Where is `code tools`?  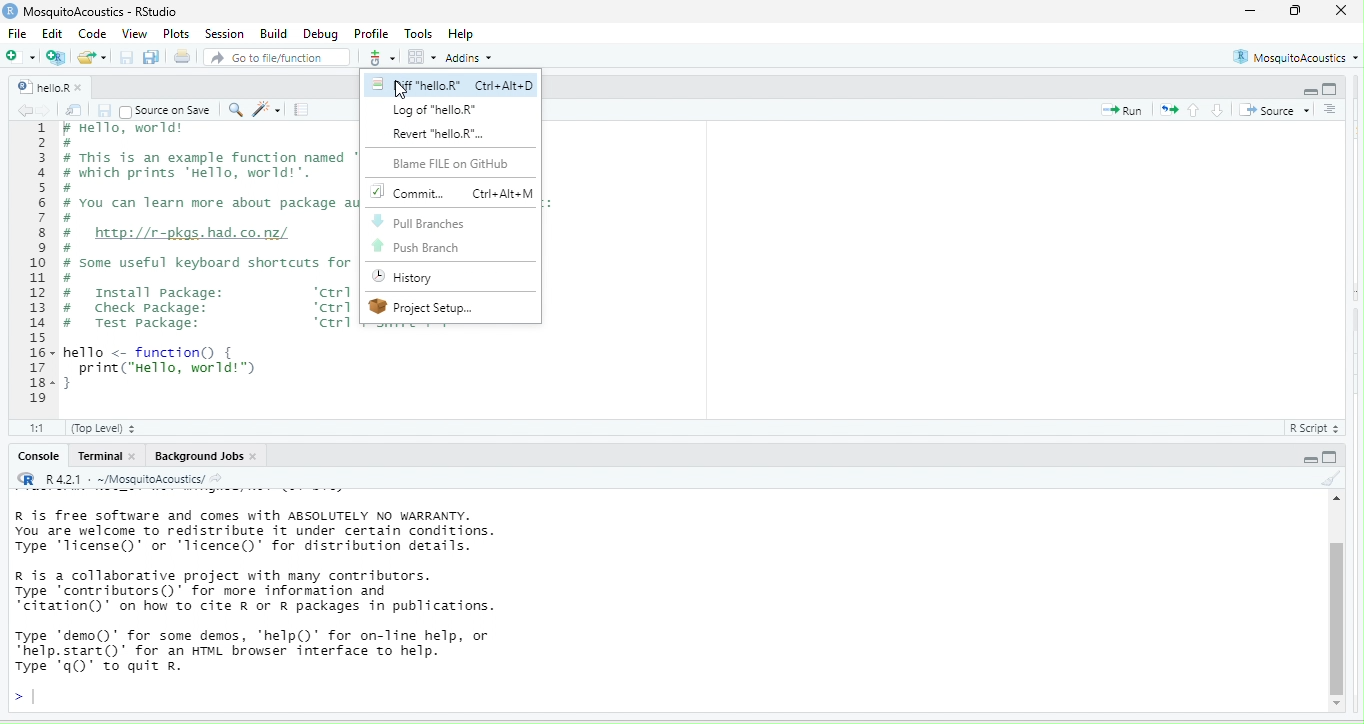 code tools is located at coordinates (269, 111).